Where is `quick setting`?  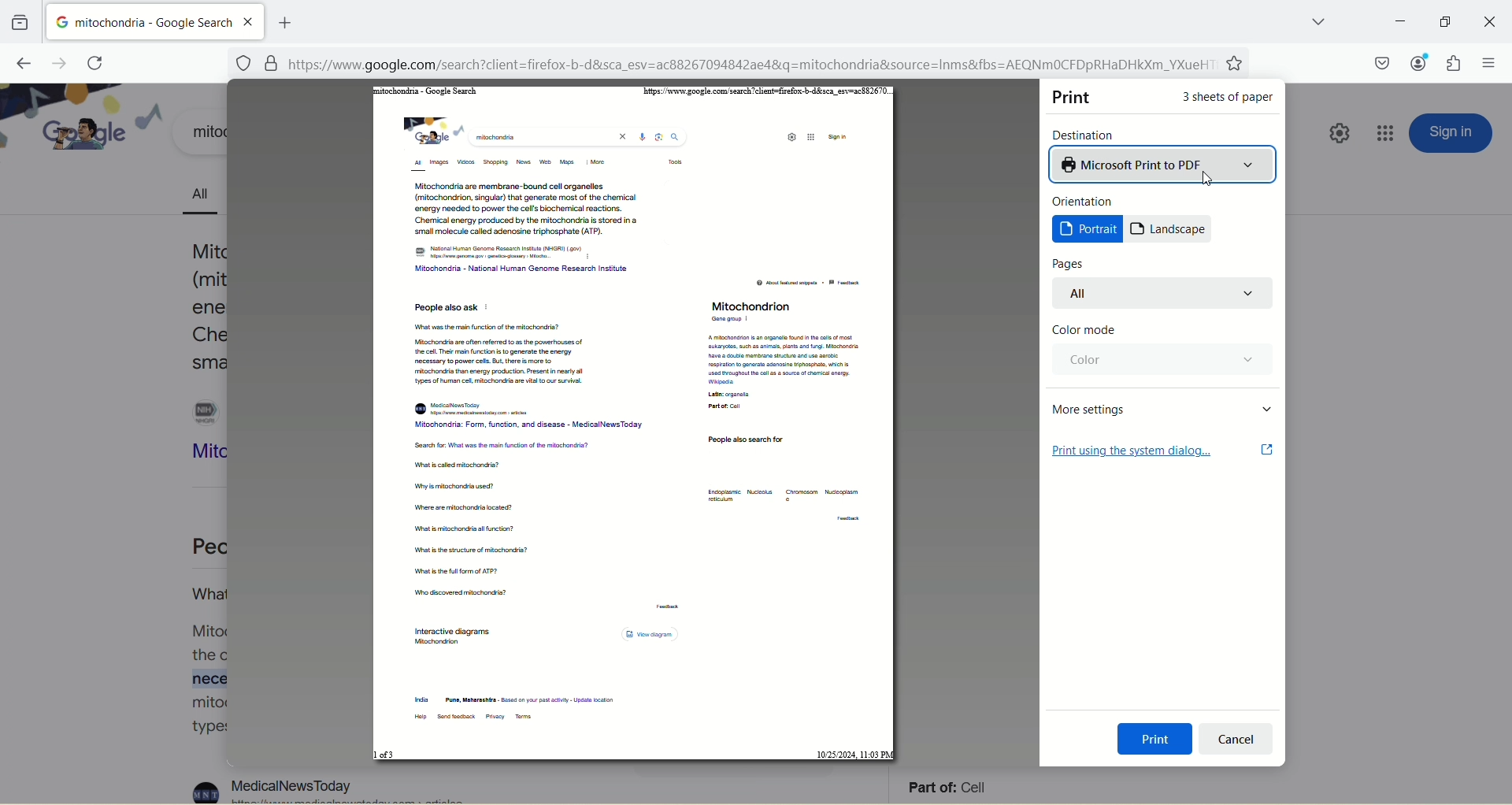
quick setting is located at coordinates (1336, 136).